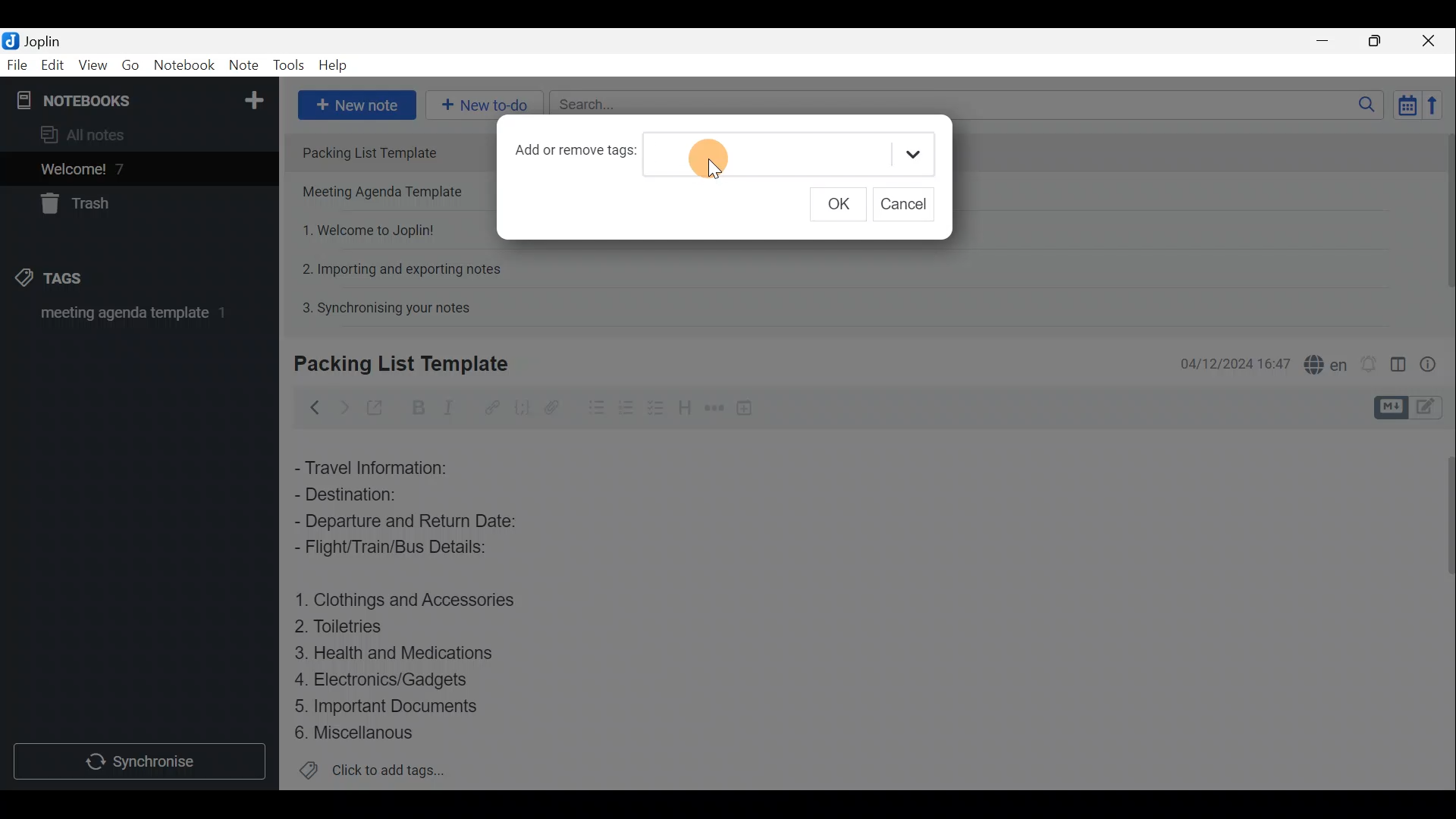 The image size is (1456, 819). What do you see at coordinates (137, 99) in the screenshot?
I see `Notebook` at bounding box center [137, 99].